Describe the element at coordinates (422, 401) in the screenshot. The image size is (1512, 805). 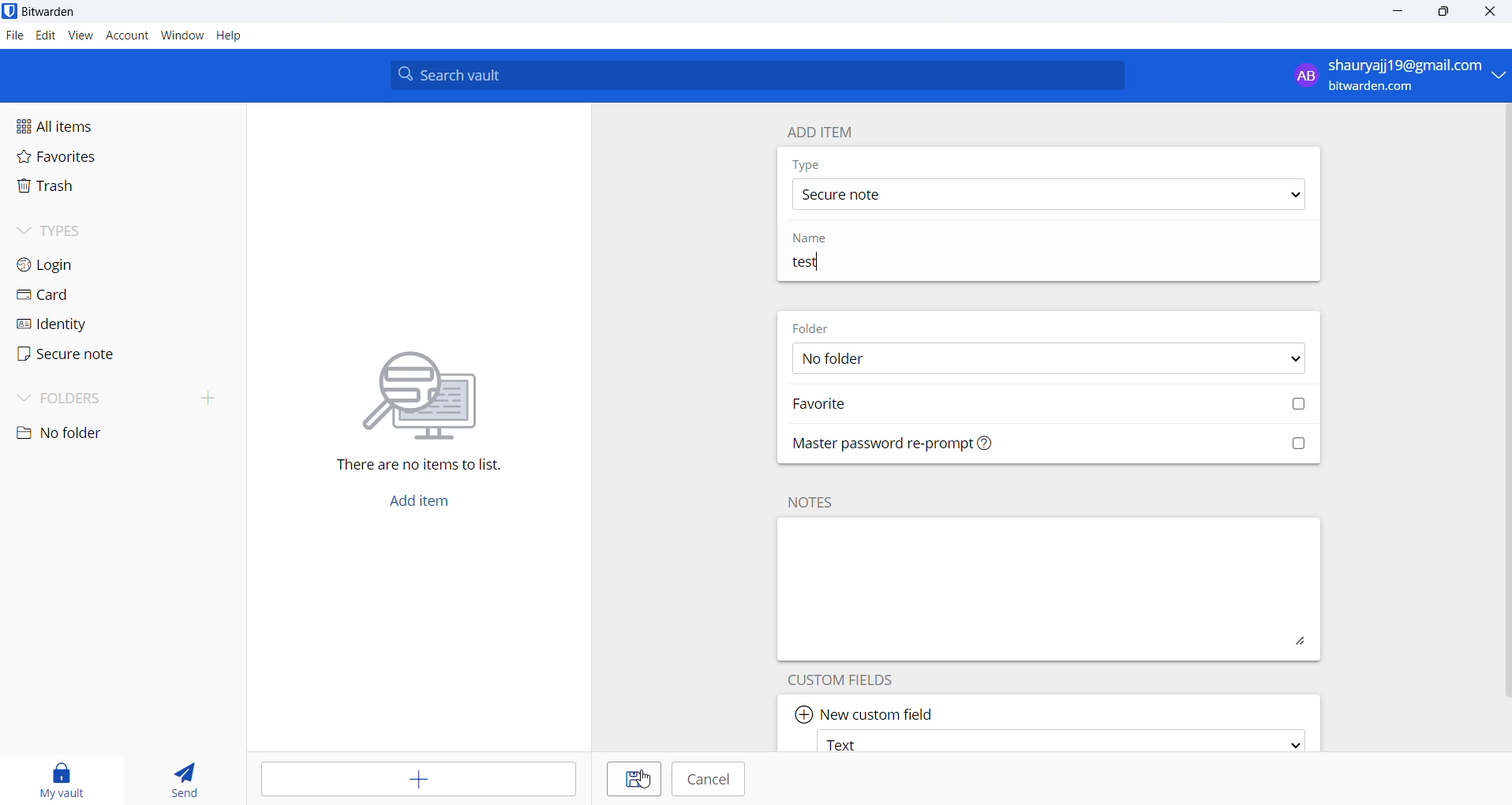
I see `graphic and text` at that location.